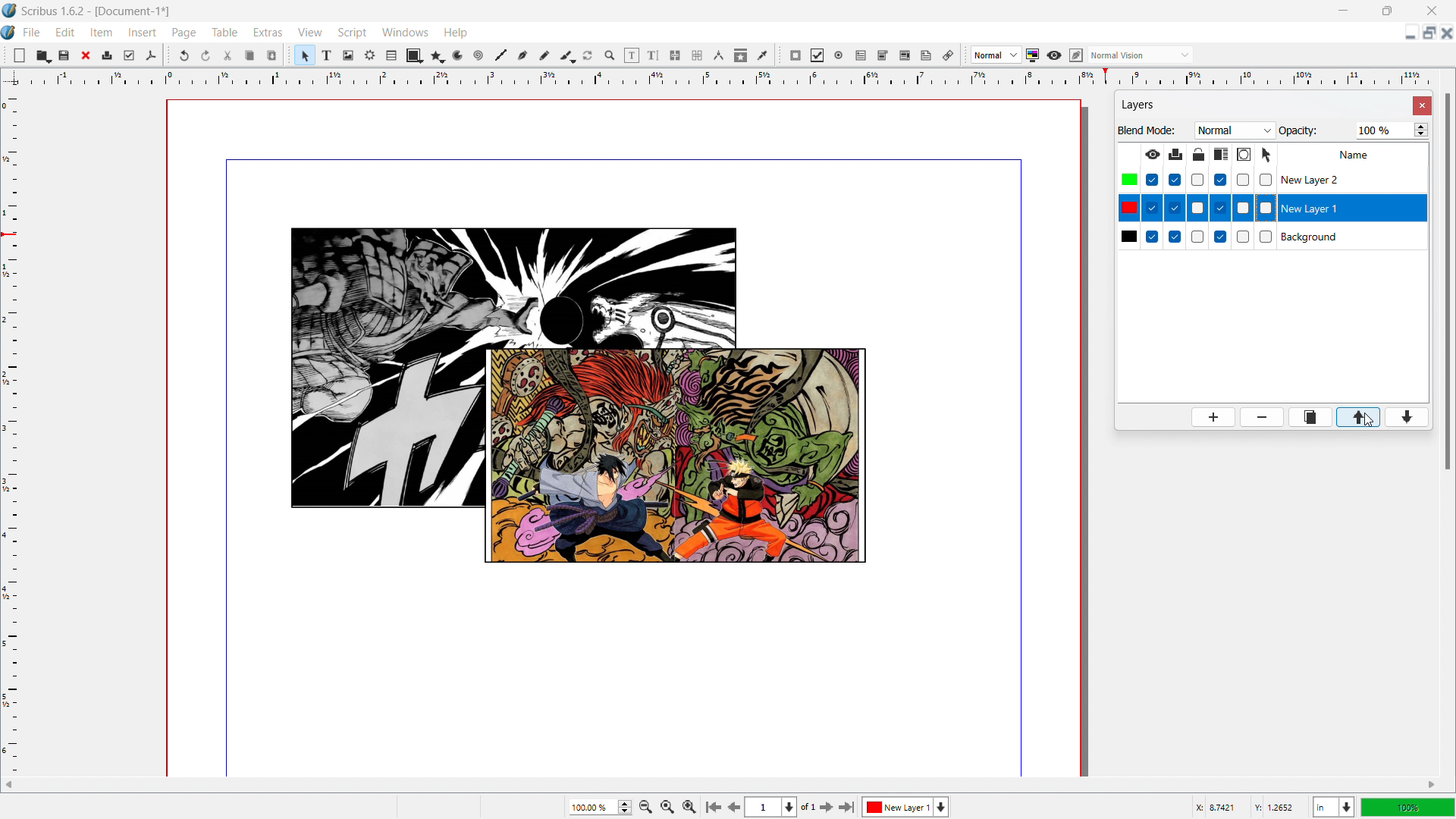 The width and height of the screenshot is (1456, 819). I want to click on line, so click(480, 55).